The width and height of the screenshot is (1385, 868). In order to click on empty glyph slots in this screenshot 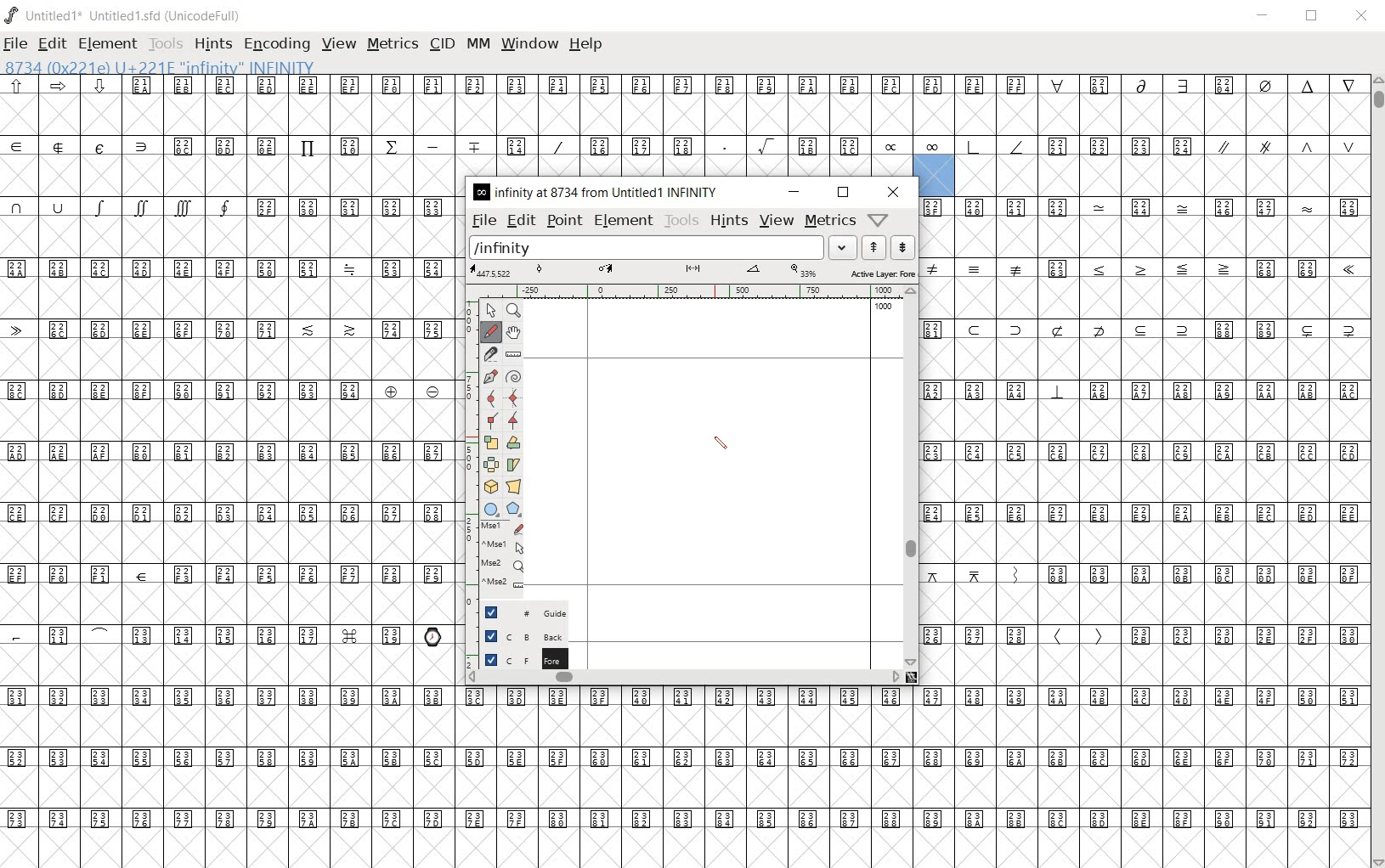, I will do `click(231, 421)`.